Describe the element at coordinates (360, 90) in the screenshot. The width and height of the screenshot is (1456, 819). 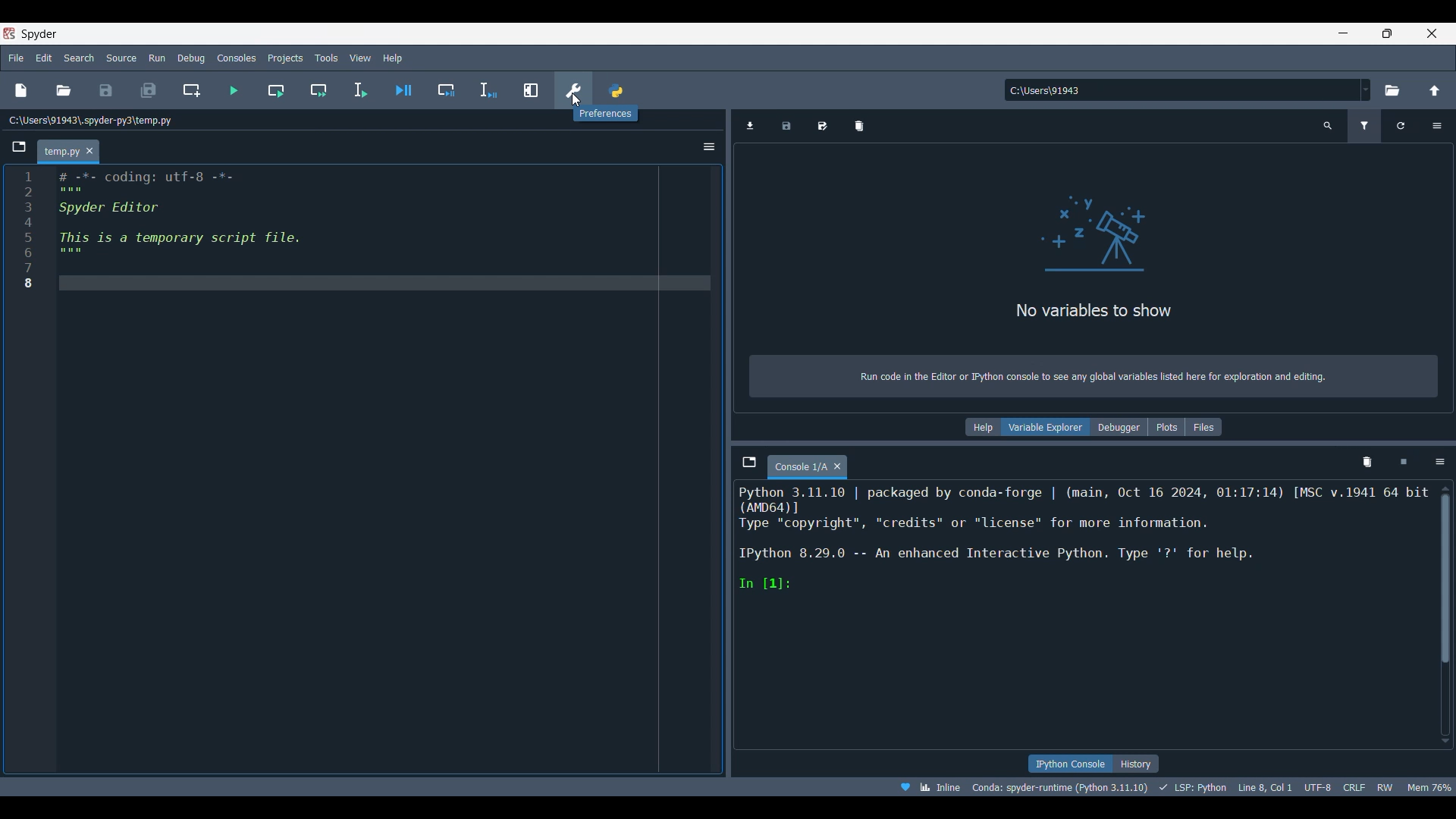
I see `Run selection/current line` at that location.